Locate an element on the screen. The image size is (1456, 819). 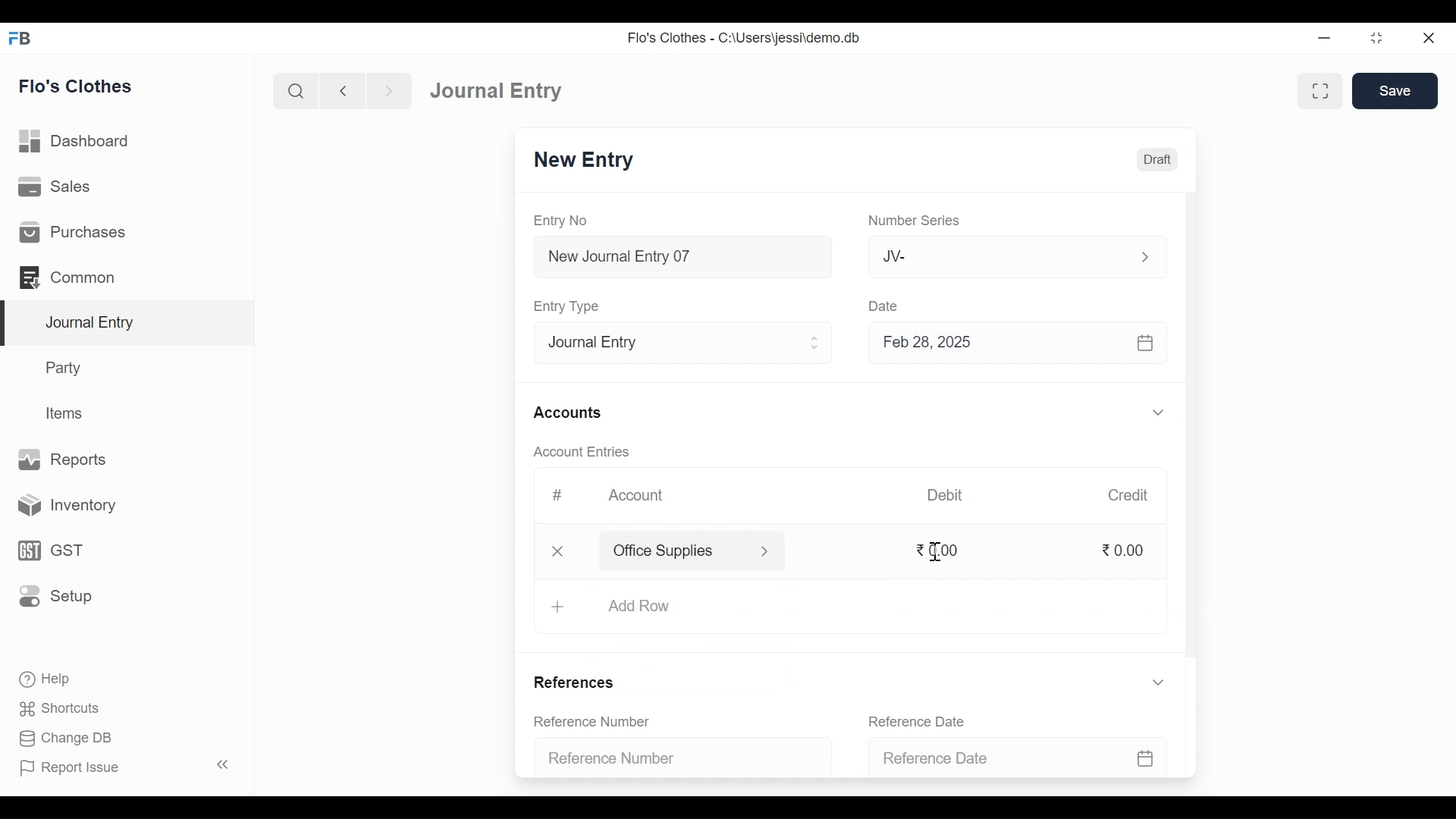
Number Series is located at coordinates (915, 221).